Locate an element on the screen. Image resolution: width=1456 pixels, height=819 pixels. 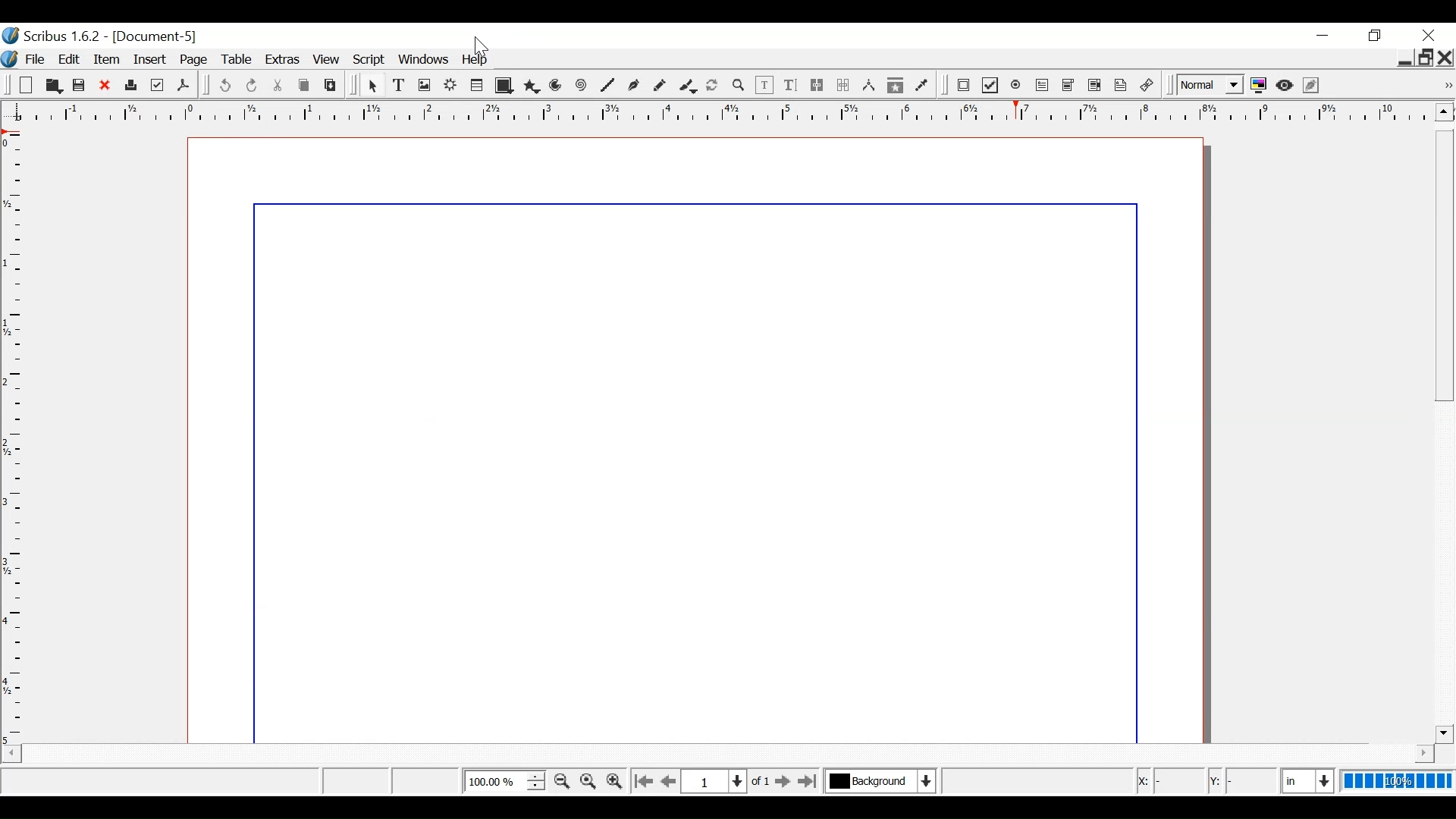
Select is located at coordinates (374, 86).